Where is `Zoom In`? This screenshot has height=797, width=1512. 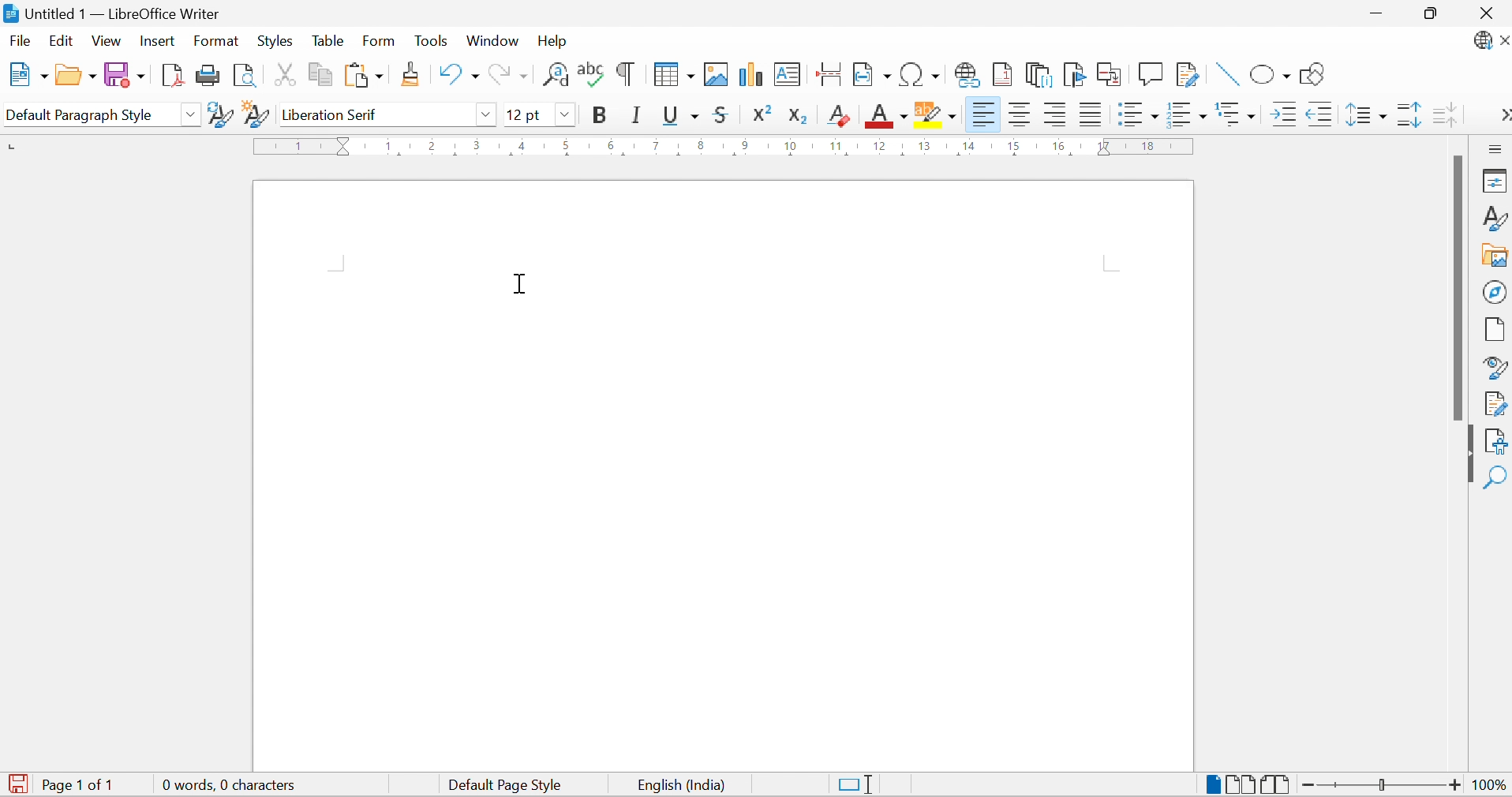 Zoom In is located at coordinates (1454, 787).